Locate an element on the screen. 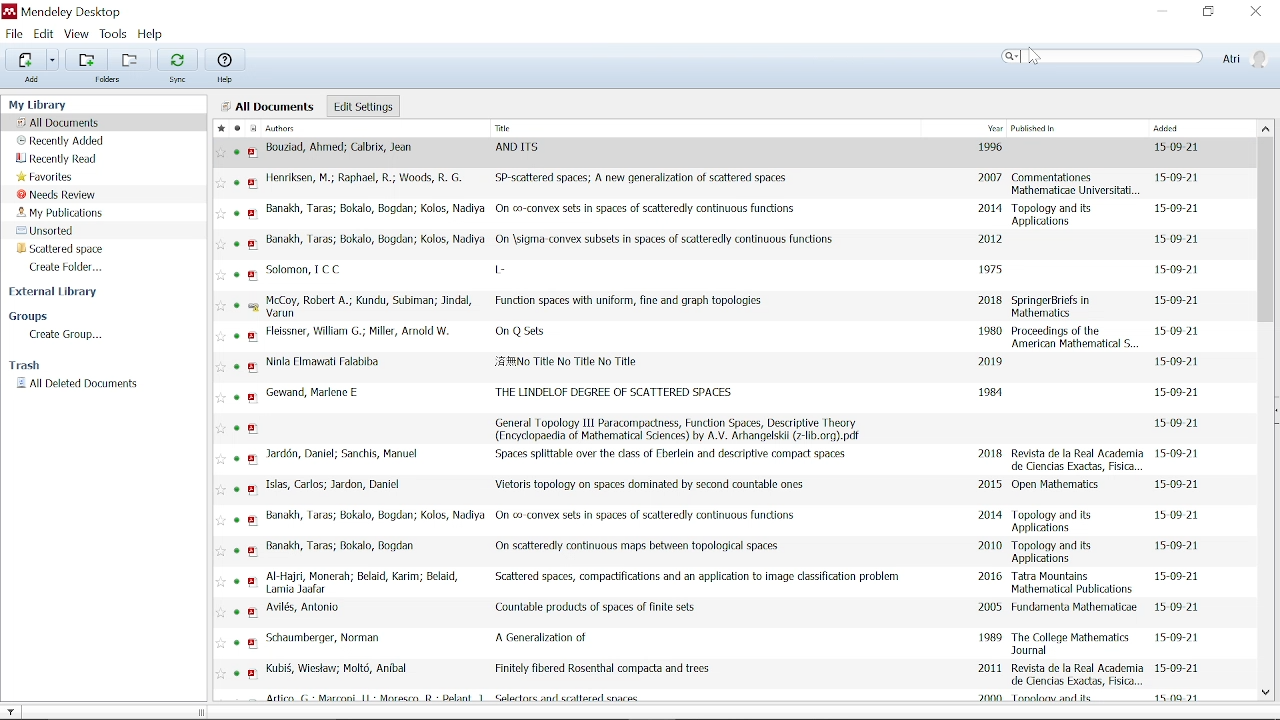  Add to favorite is located at coordinates (221, 336).